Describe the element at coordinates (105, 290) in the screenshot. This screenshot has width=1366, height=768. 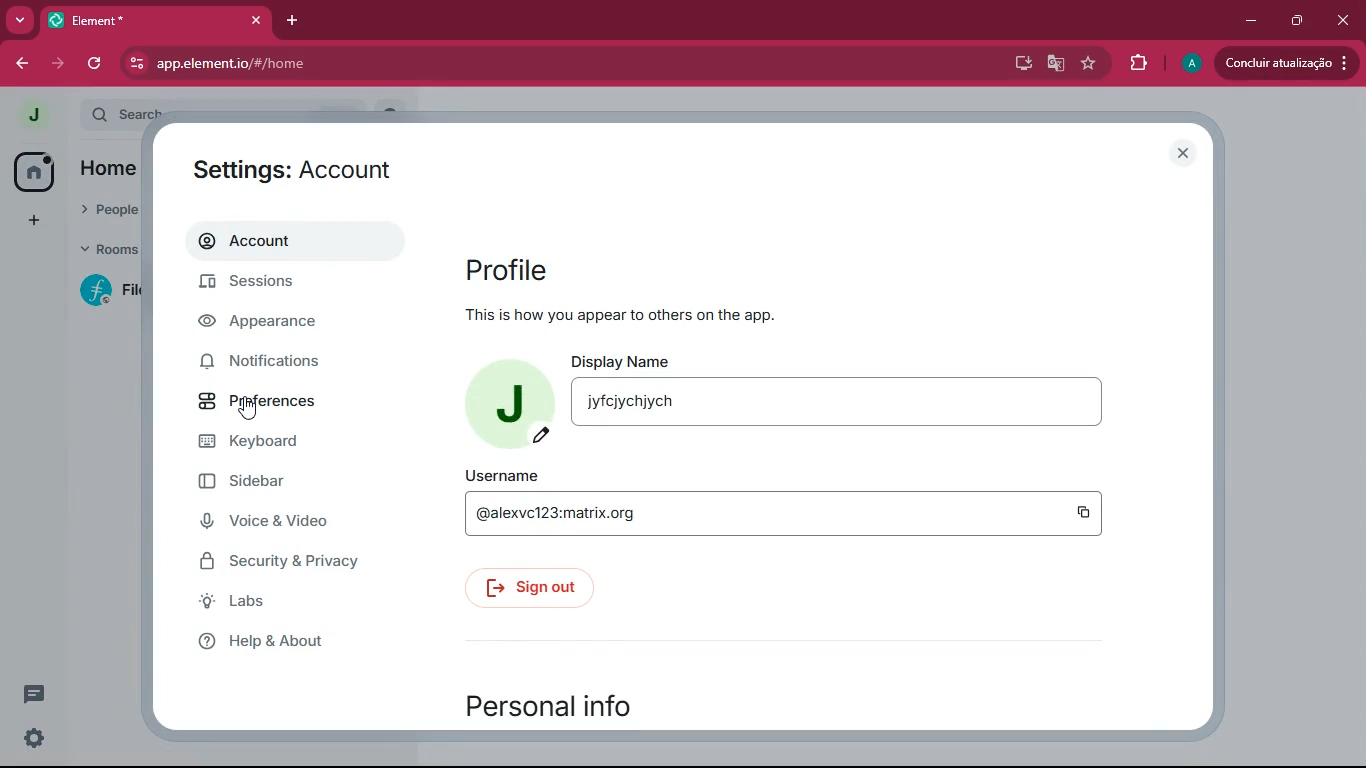
I see `filecoin lotus implementation` at that location.